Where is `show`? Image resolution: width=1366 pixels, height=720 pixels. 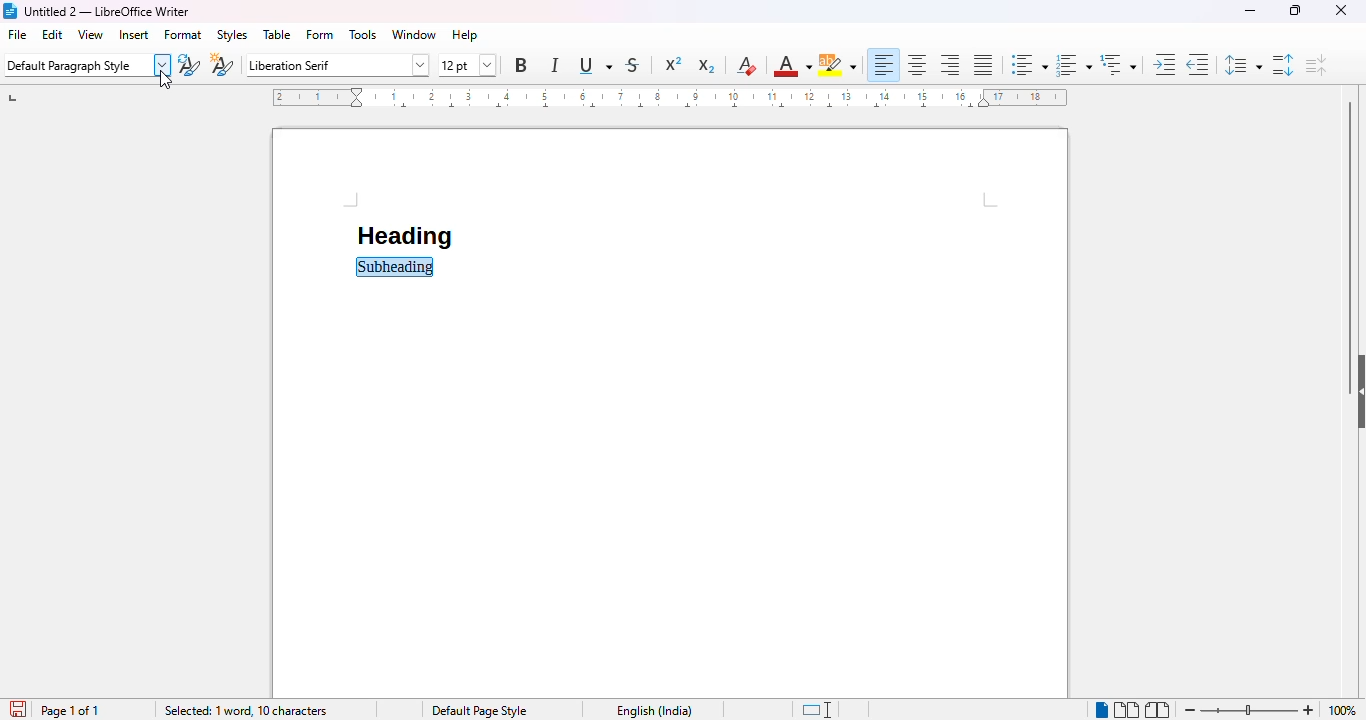 show is located at coordinates (1357, 391).